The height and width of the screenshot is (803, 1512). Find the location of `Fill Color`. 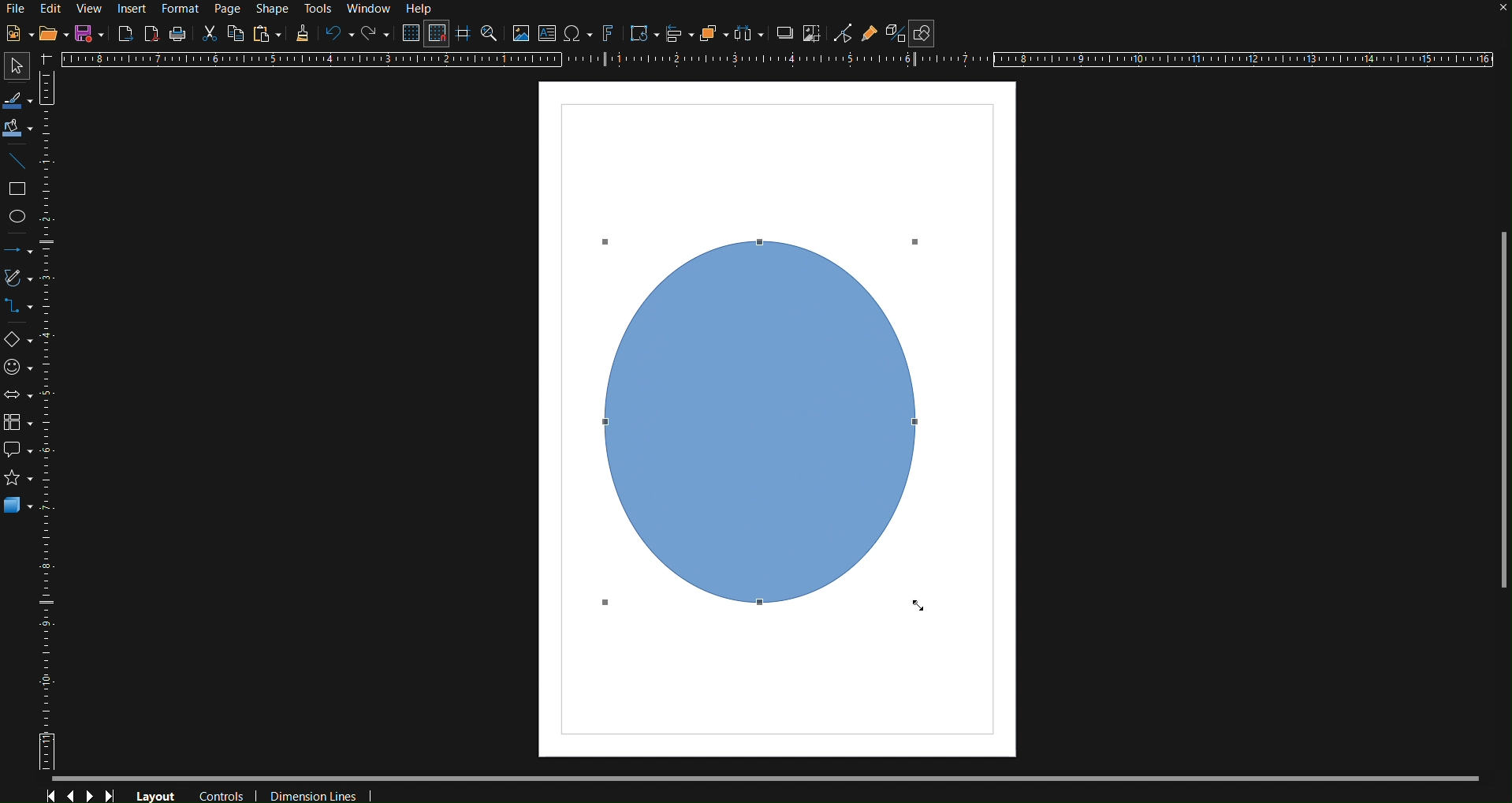

Fill Color is located at coordinates (18, 129).